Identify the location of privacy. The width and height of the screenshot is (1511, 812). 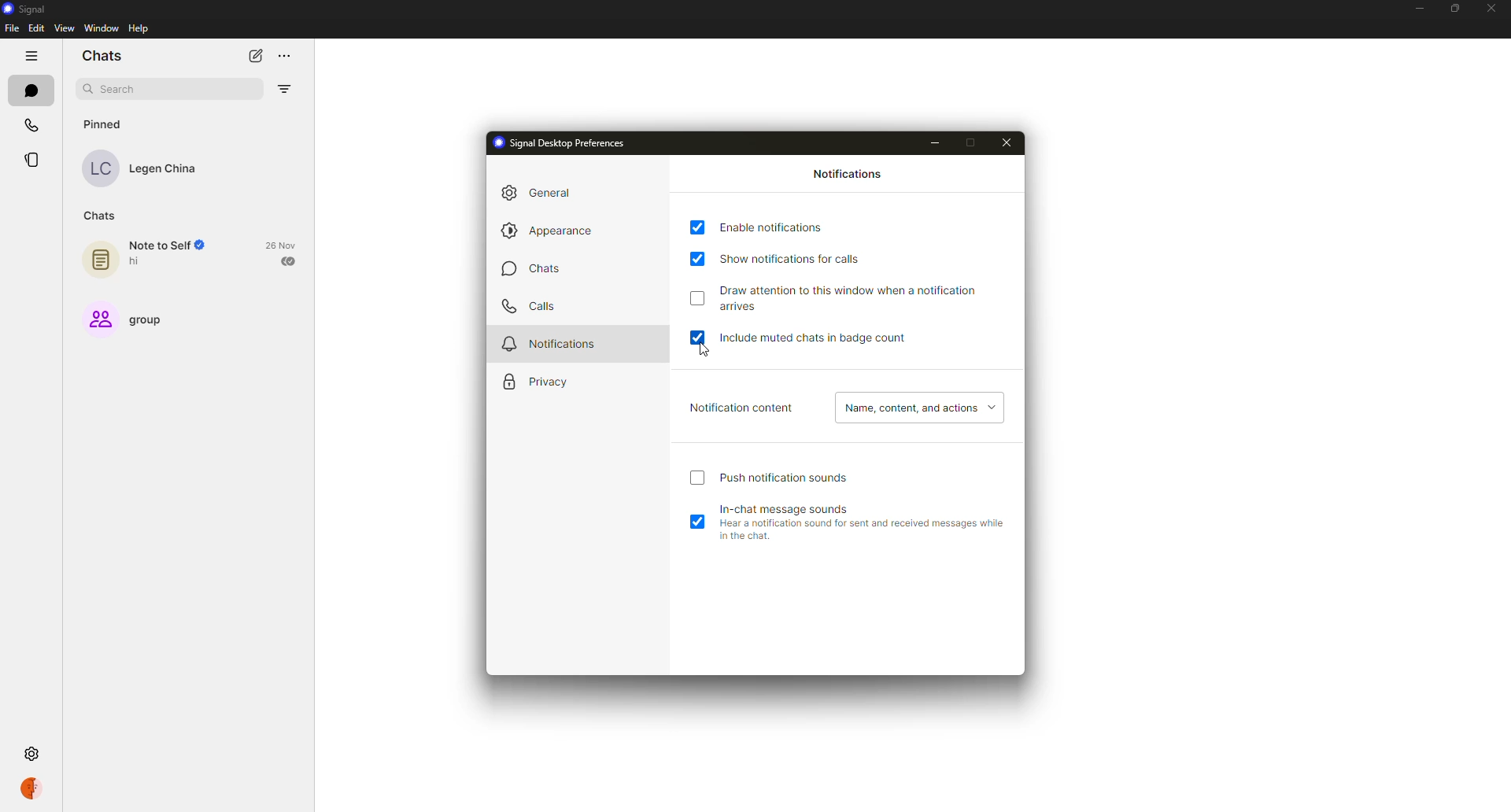
(534, 379).